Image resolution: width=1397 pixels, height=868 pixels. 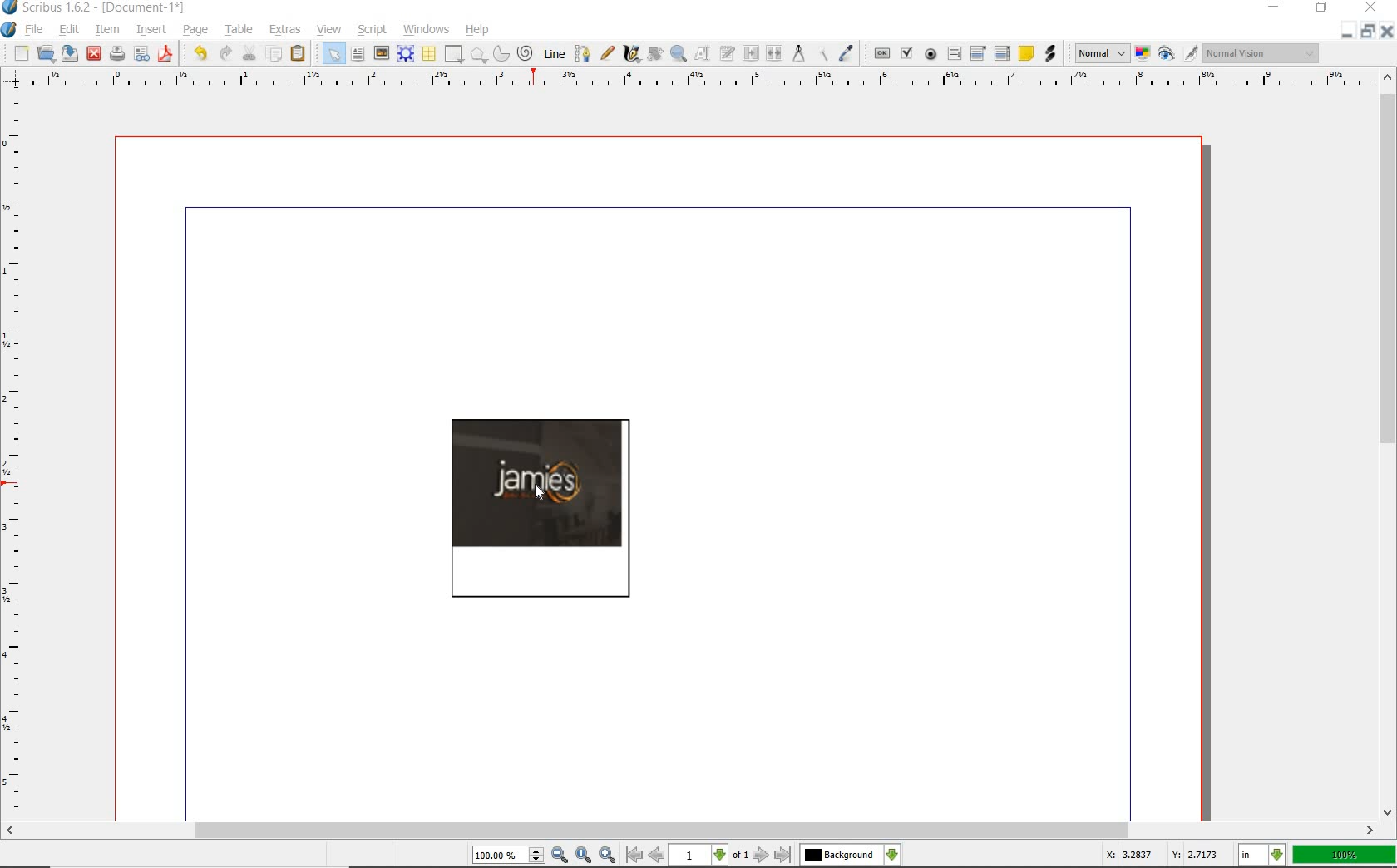 What do you see at coordinates (329, 29) in the screenshot?
I see `view` at bounding box center [329, 29].